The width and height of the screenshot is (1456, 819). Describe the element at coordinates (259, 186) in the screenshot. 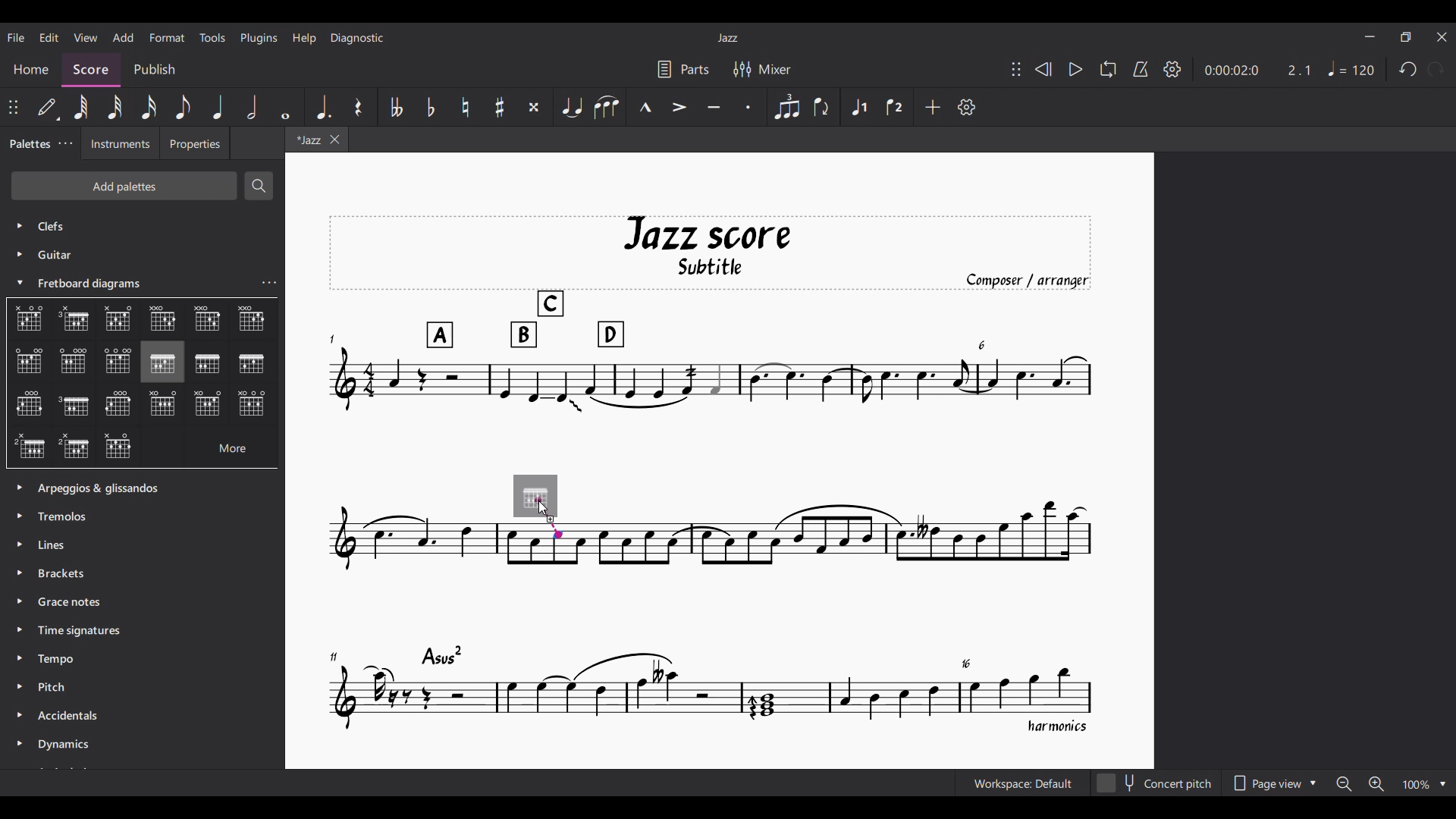

I see `Search` at that location.